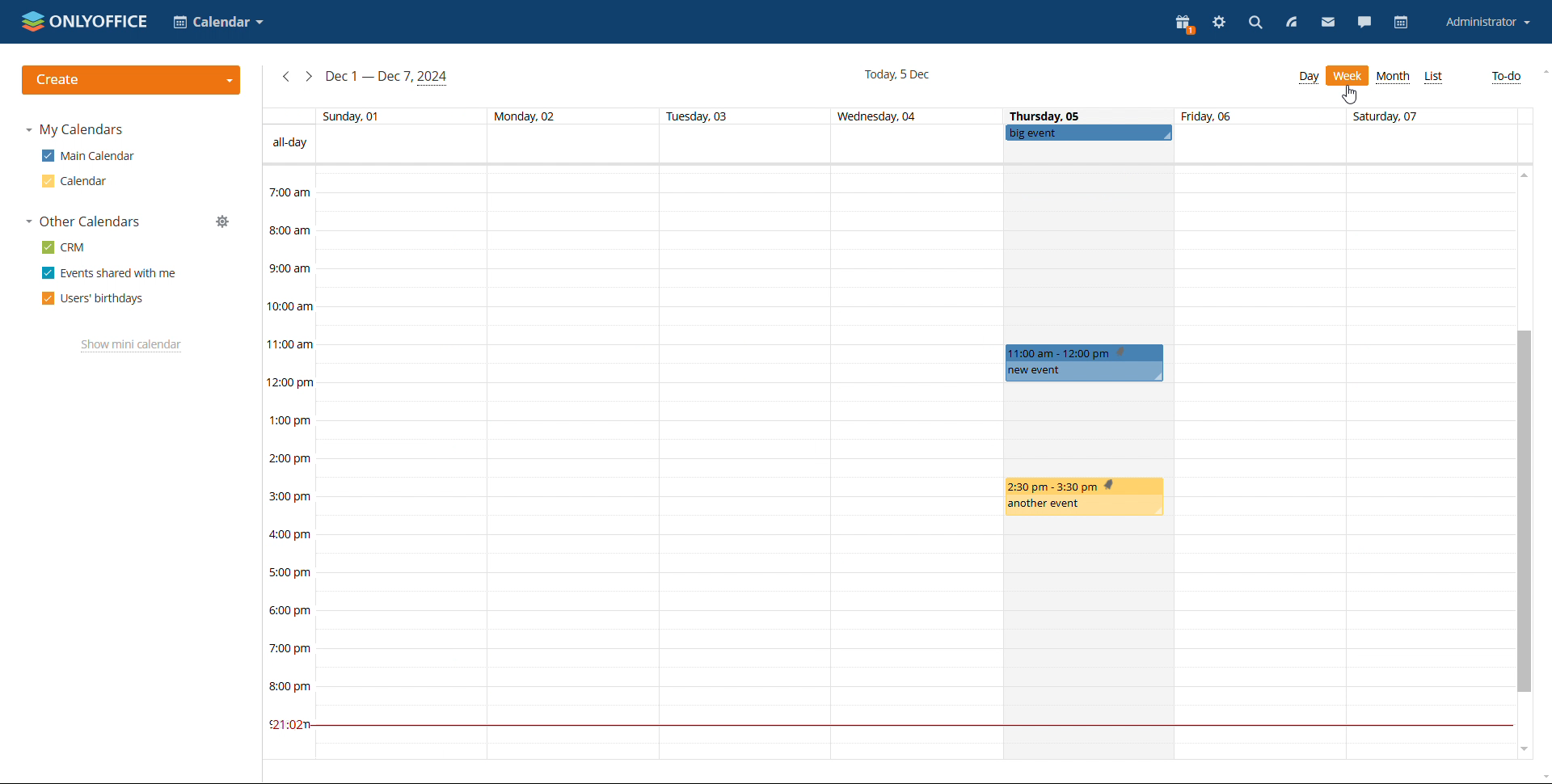  Describe the element at coordinates (132, 345) in the screenshot. I see `show mini calendar` at that location.